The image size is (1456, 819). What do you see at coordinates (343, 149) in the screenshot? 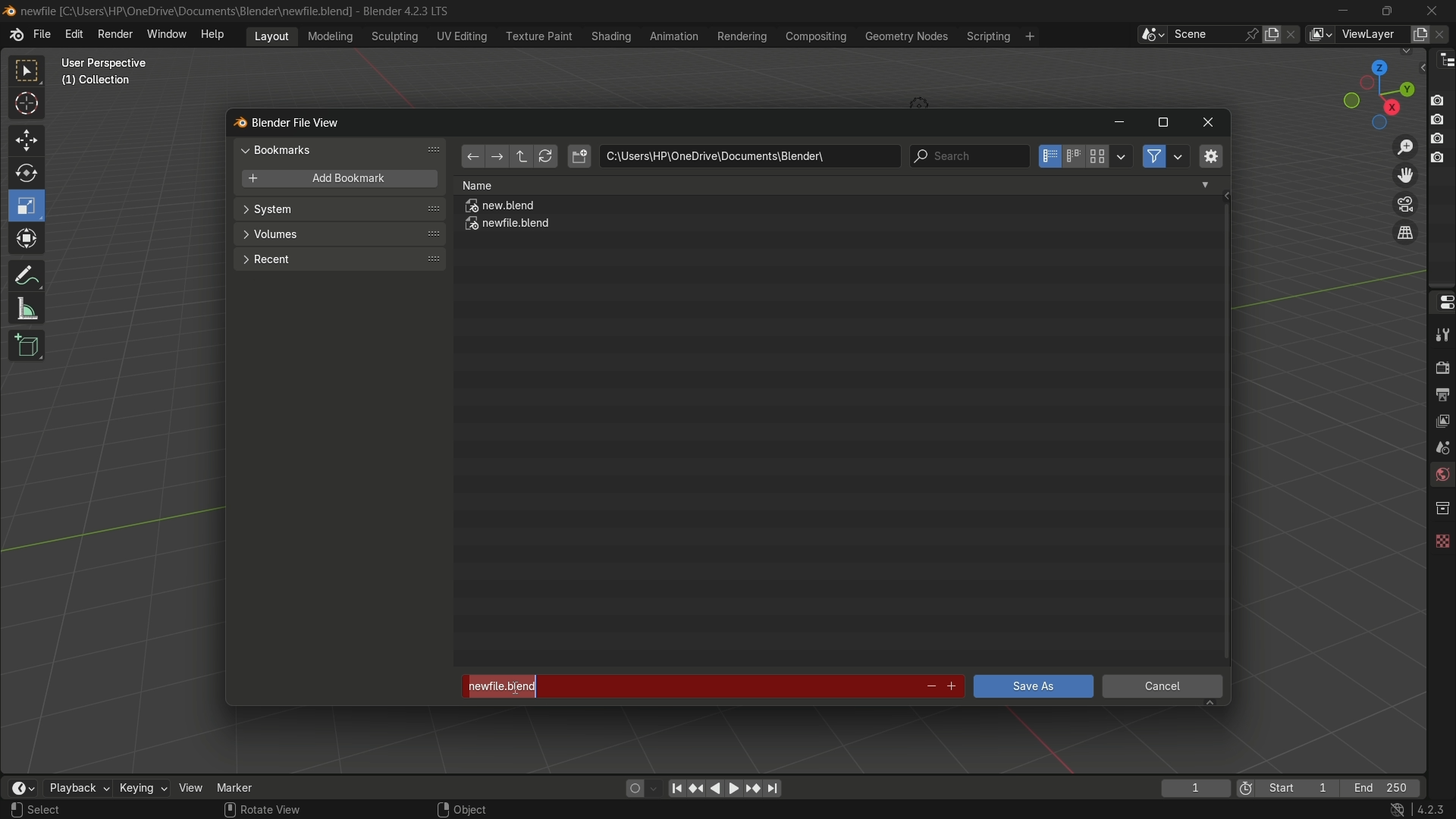
I see `bookmarks` at bounding box center [343, 149].